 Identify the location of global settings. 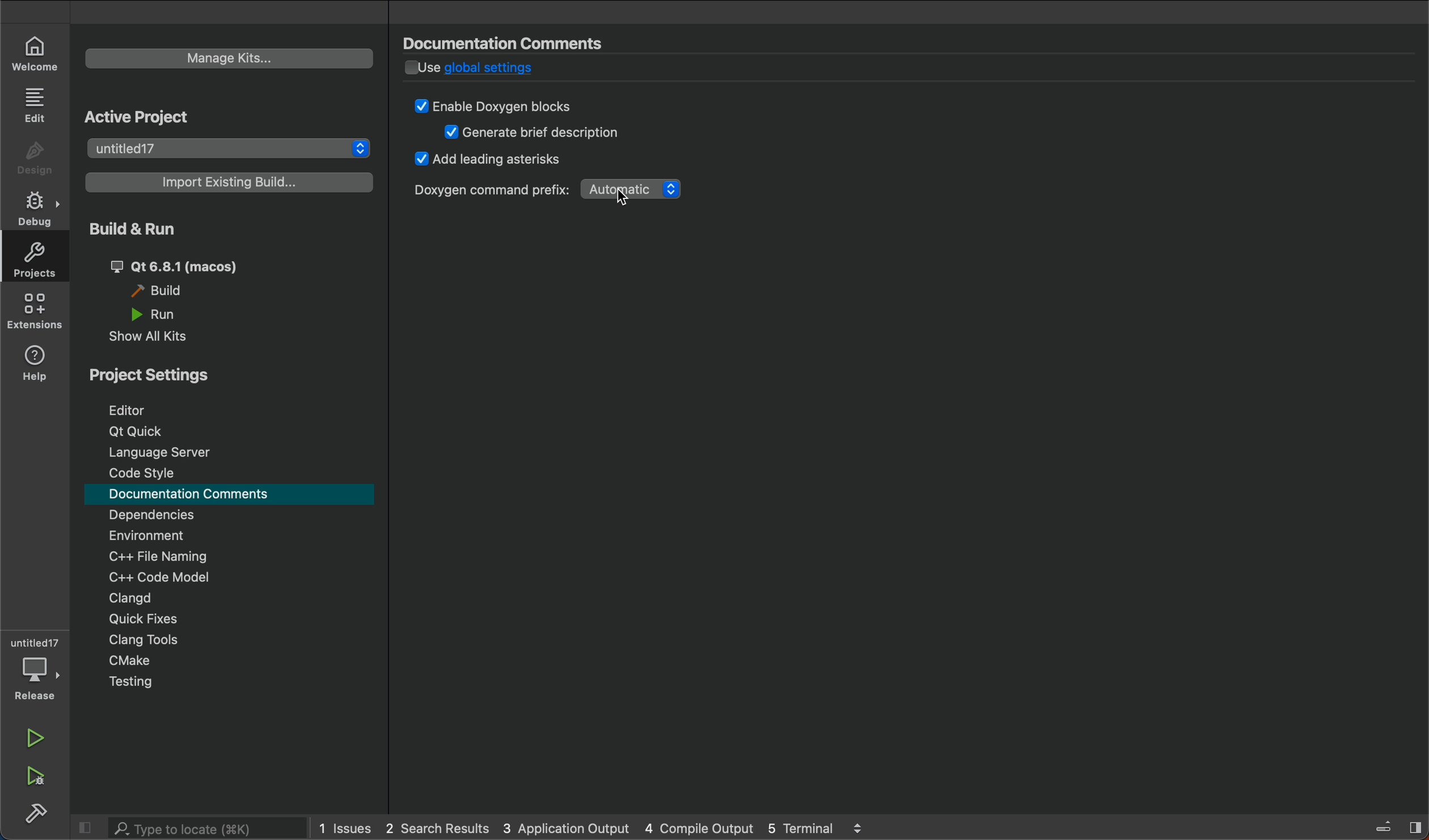
(508, 71).